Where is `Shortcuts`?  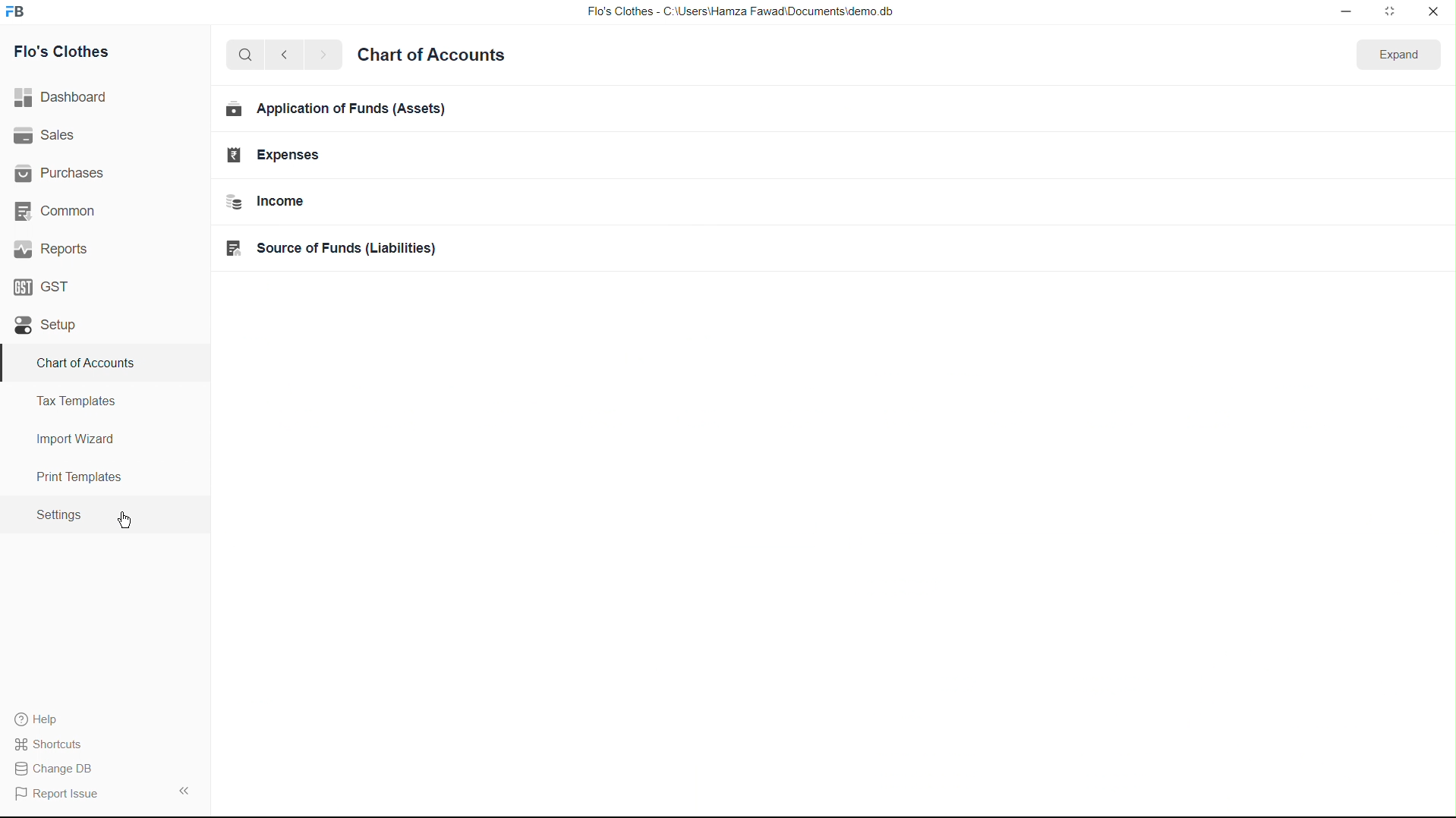
Shortcuts is located at coordinates (57, 743).